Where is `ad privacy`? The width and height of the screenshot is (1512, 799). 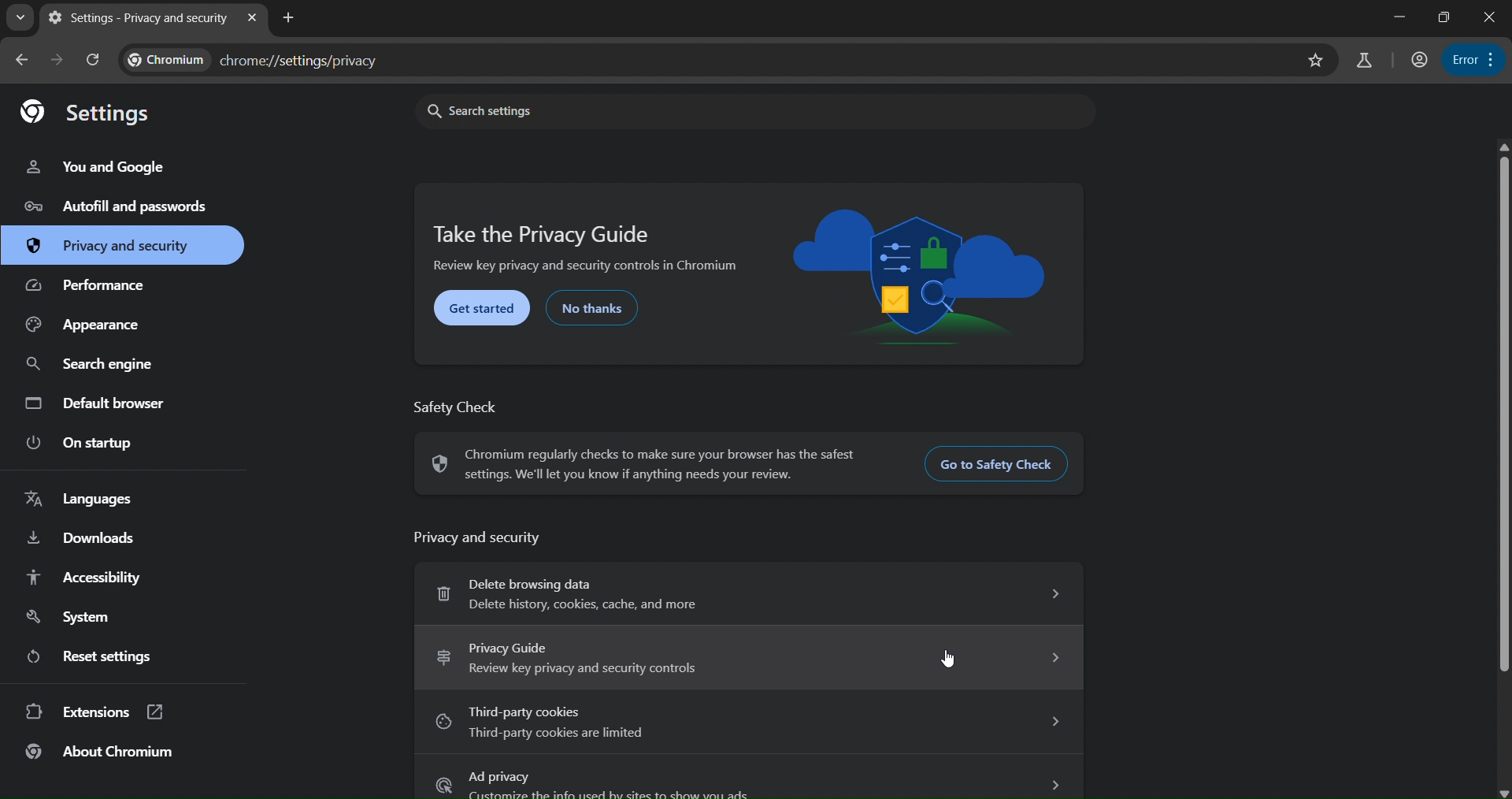 ad privacy is located at coordinates (750, 782).